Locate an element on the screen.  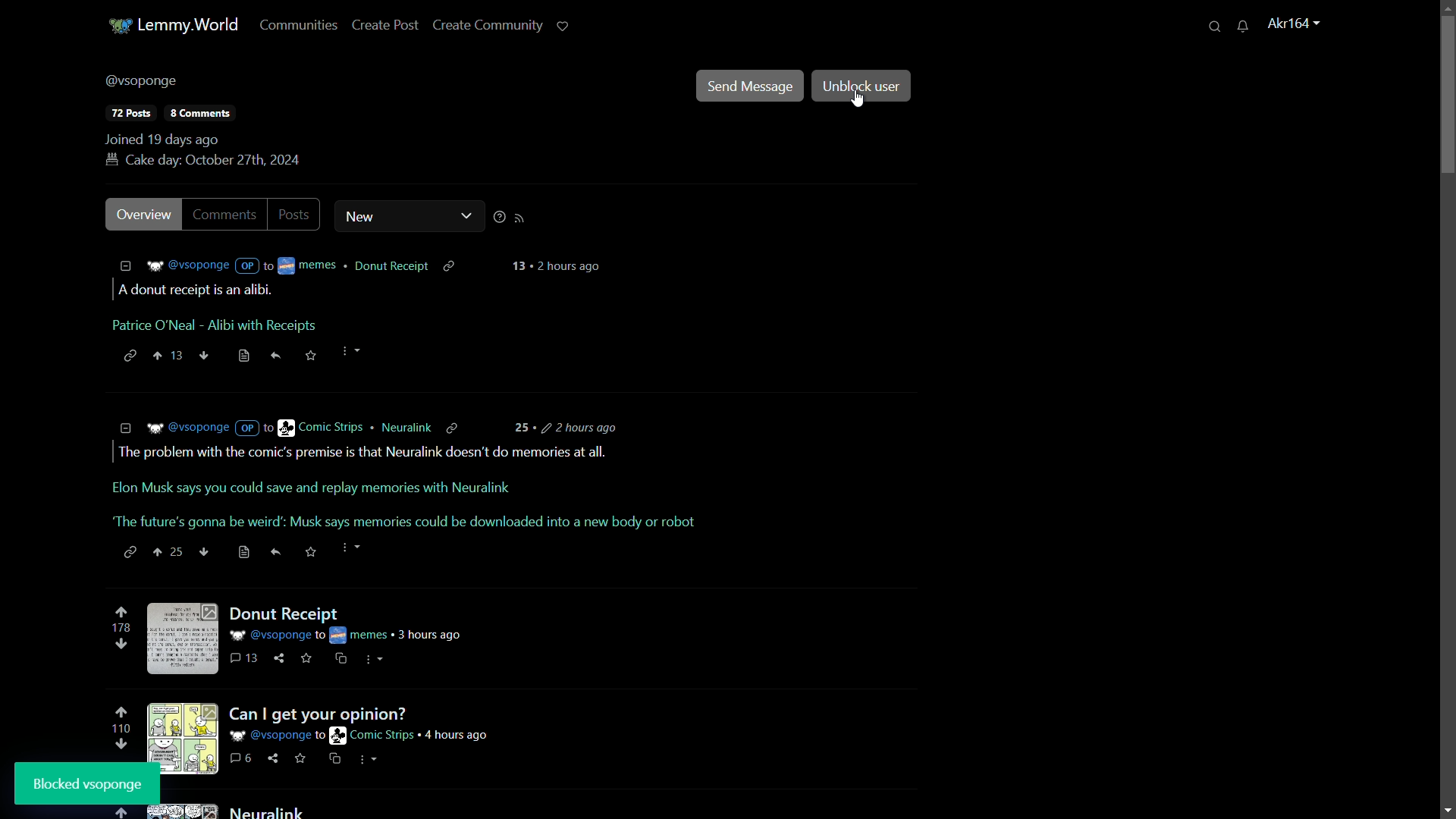
downvote is located at coordinates (121, 743).